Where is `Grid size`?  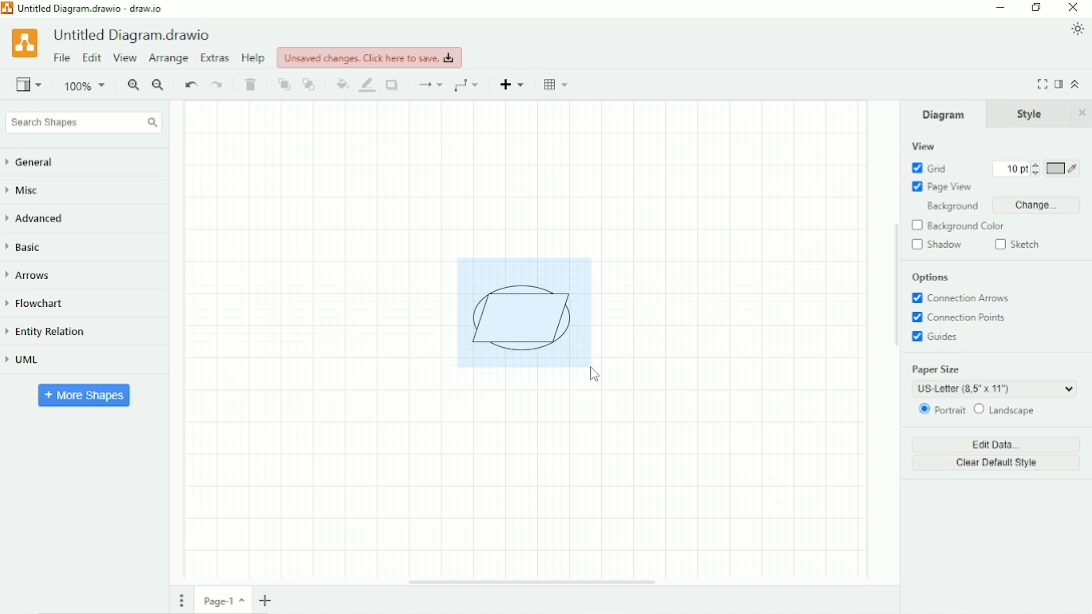 Grid size is located at coordinates (1011, 169).